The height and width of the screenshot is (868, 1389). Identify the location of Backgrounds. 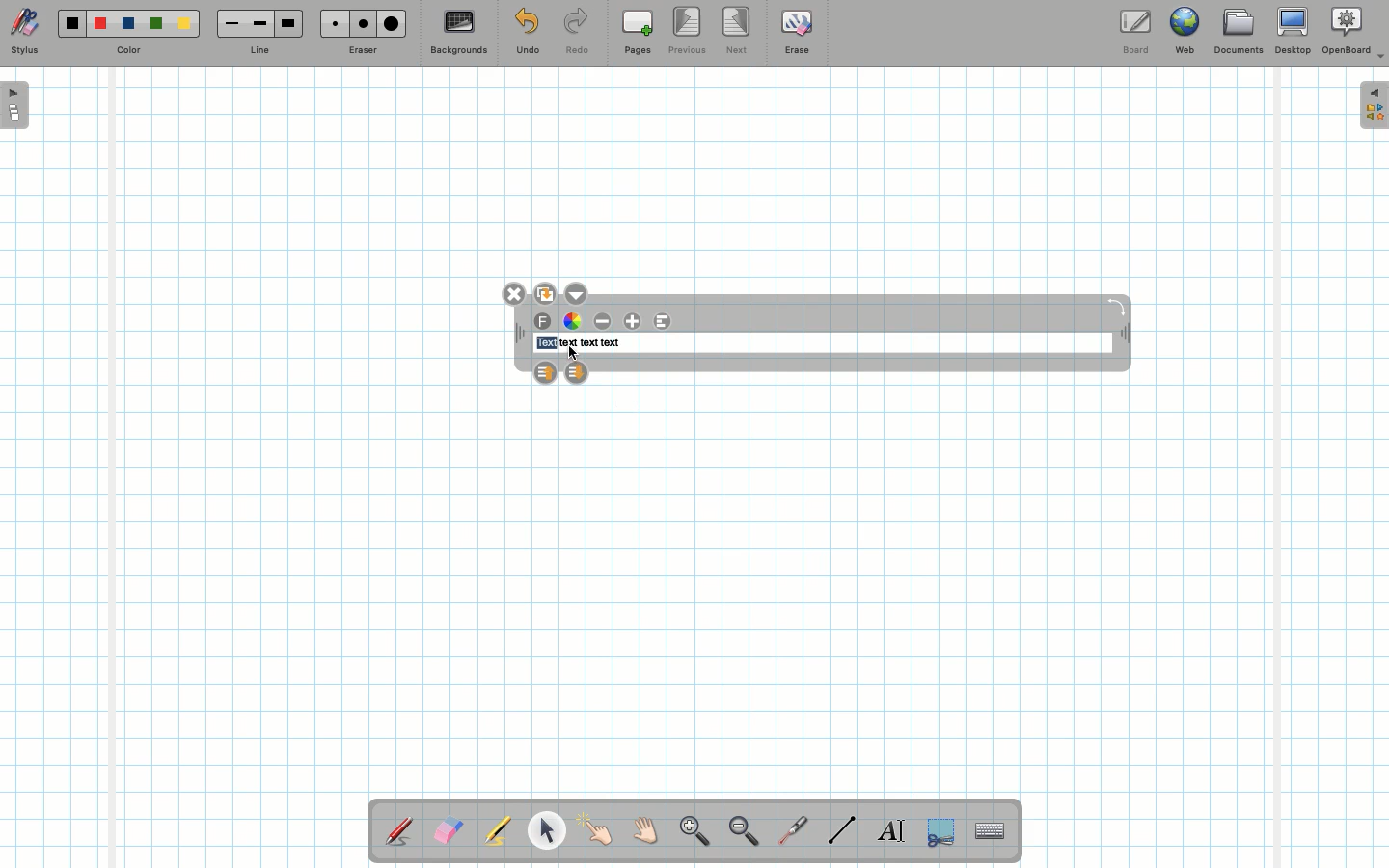
(458, 33).